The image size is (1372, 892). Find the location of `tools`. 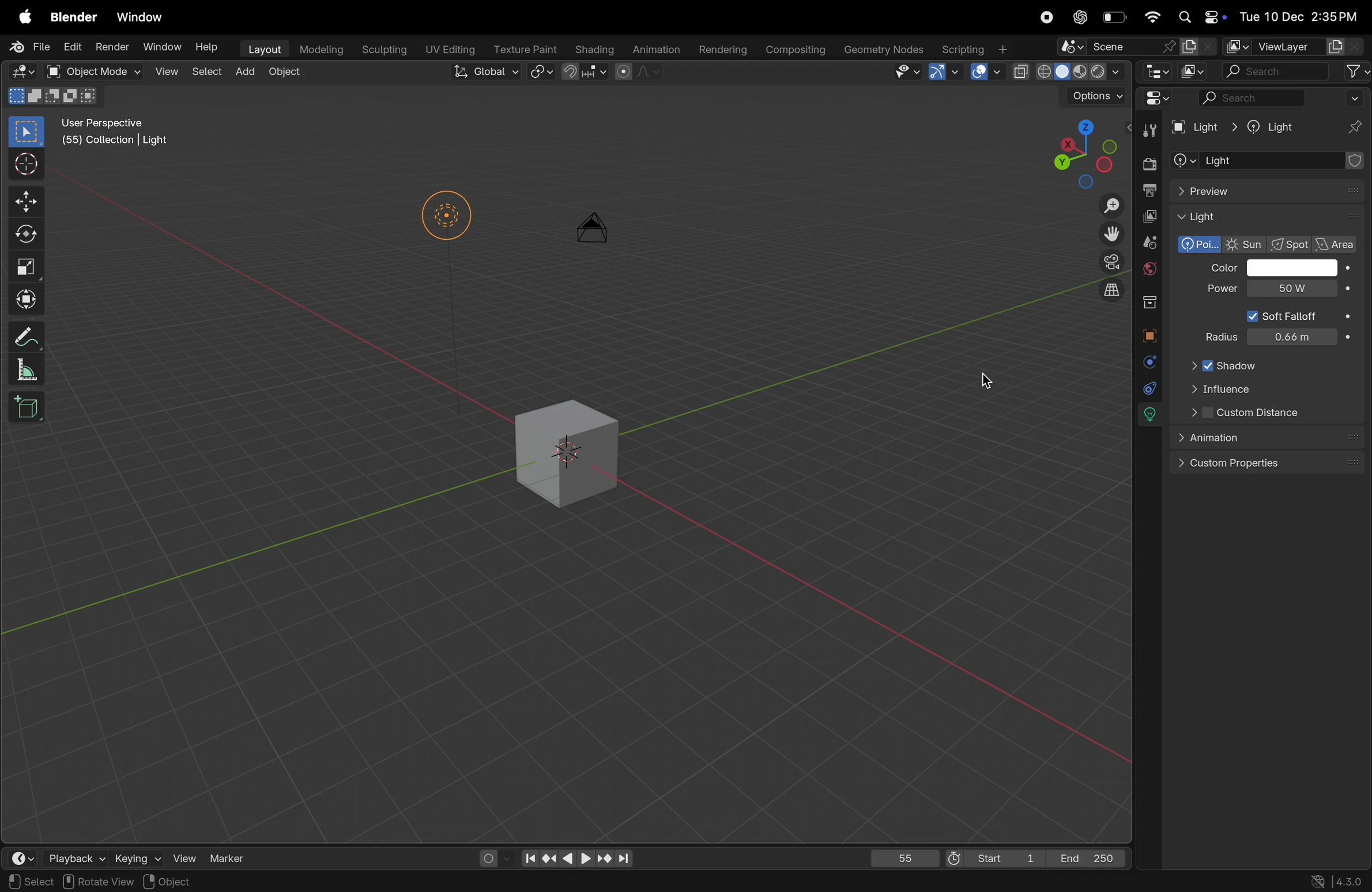

tools is located at coordinates (1149, 129).